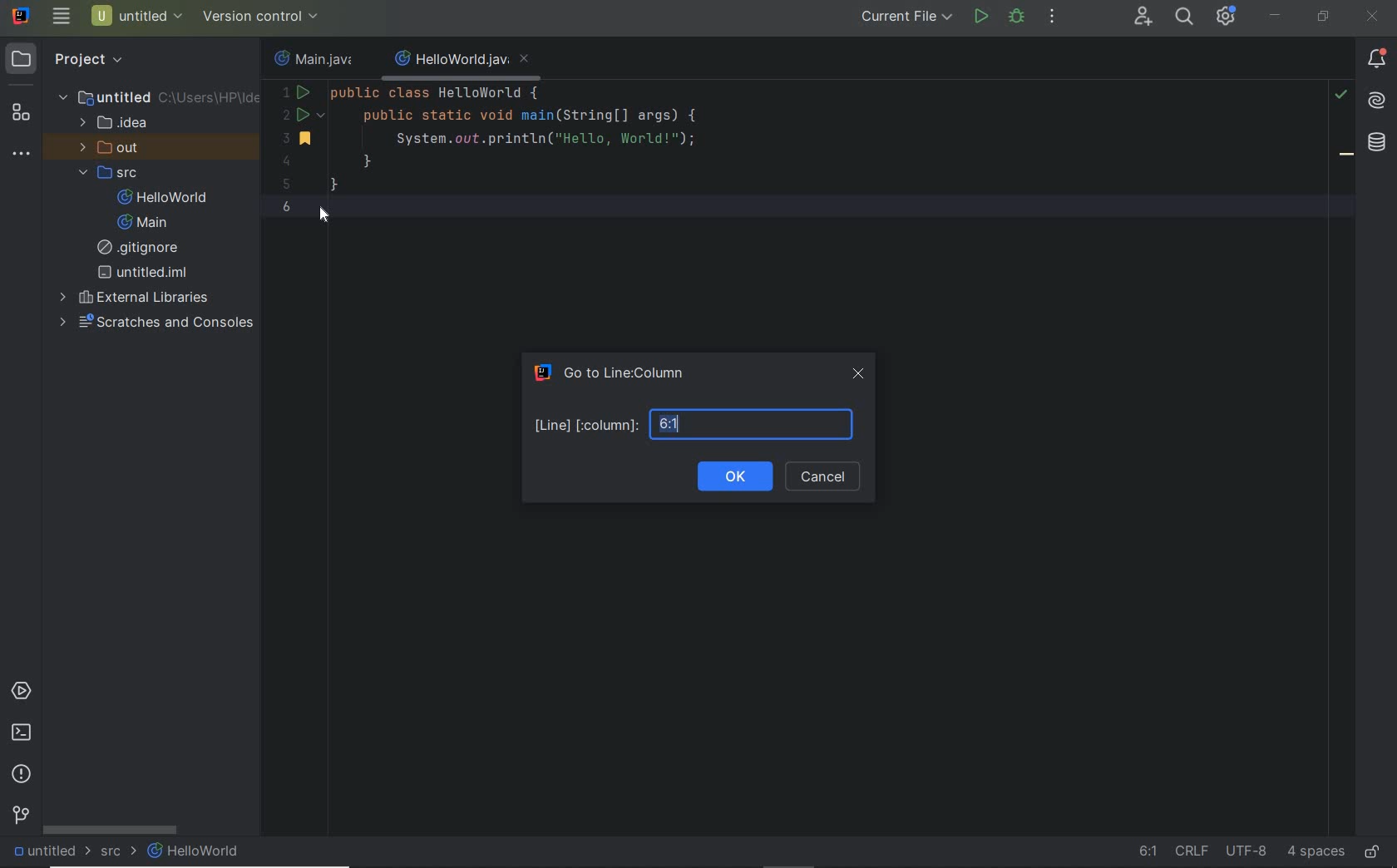  What do you see at coordinates (119, 851) in the screenshot?
I see `src` at bounding box center [119, 851].